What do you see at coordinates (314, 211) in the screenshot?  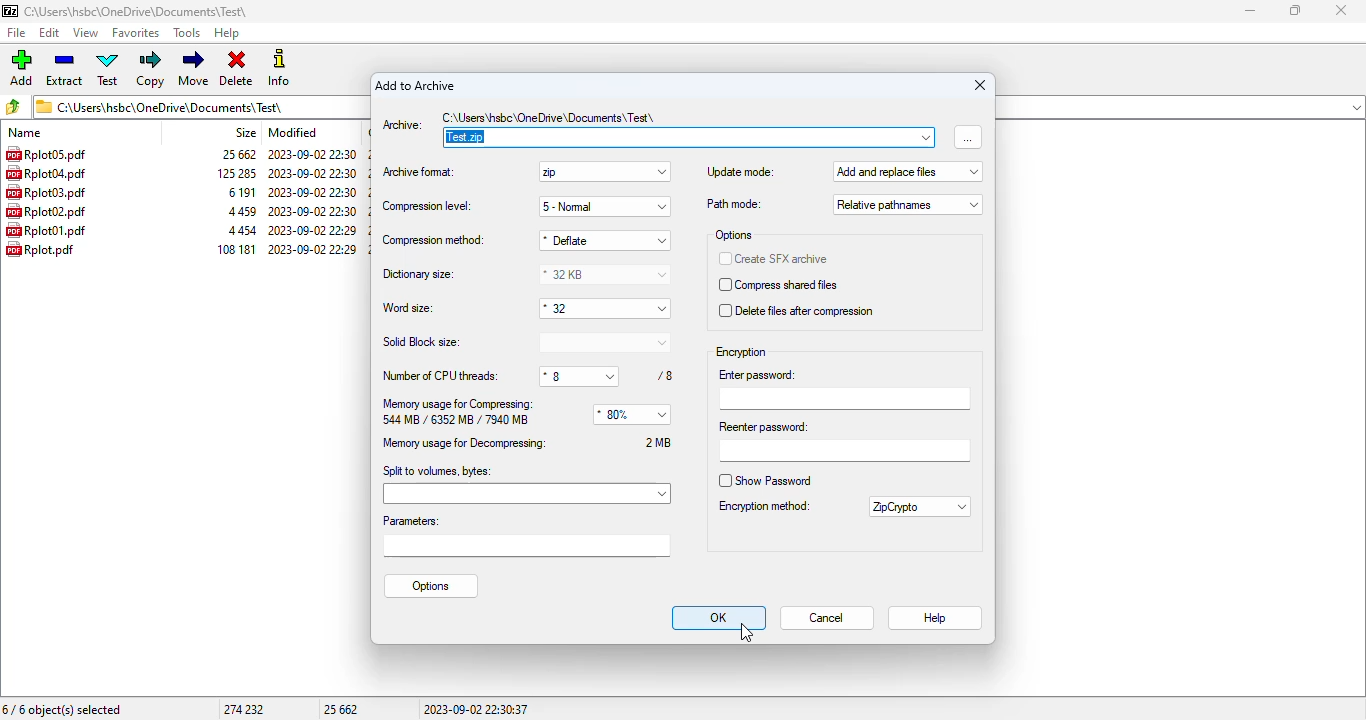 I see `modified date & time` at bounding box center [314, 211].